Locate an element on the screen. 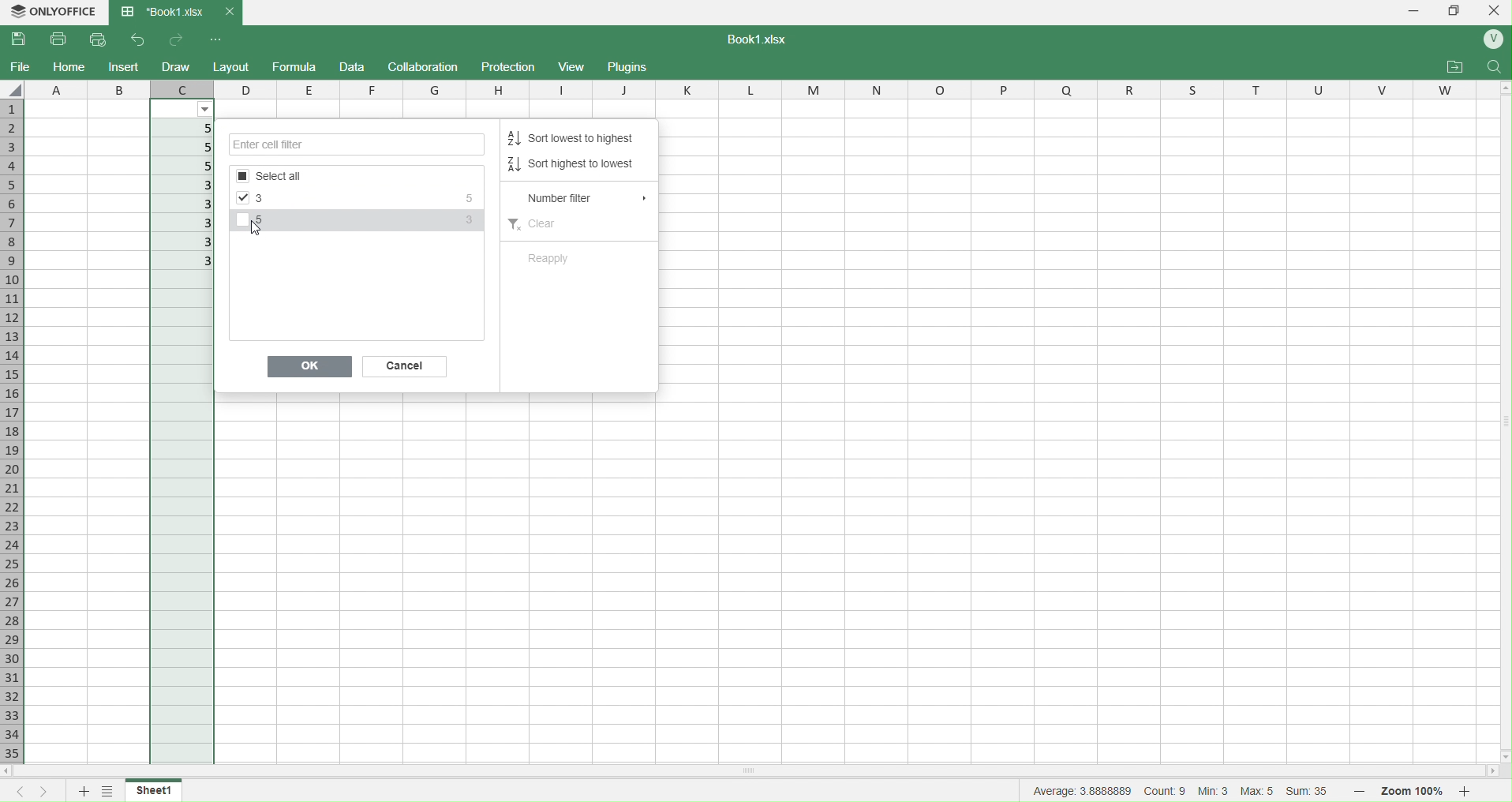 The image size is (1512, 802). Collaboration is located at coordinates (424, 66).